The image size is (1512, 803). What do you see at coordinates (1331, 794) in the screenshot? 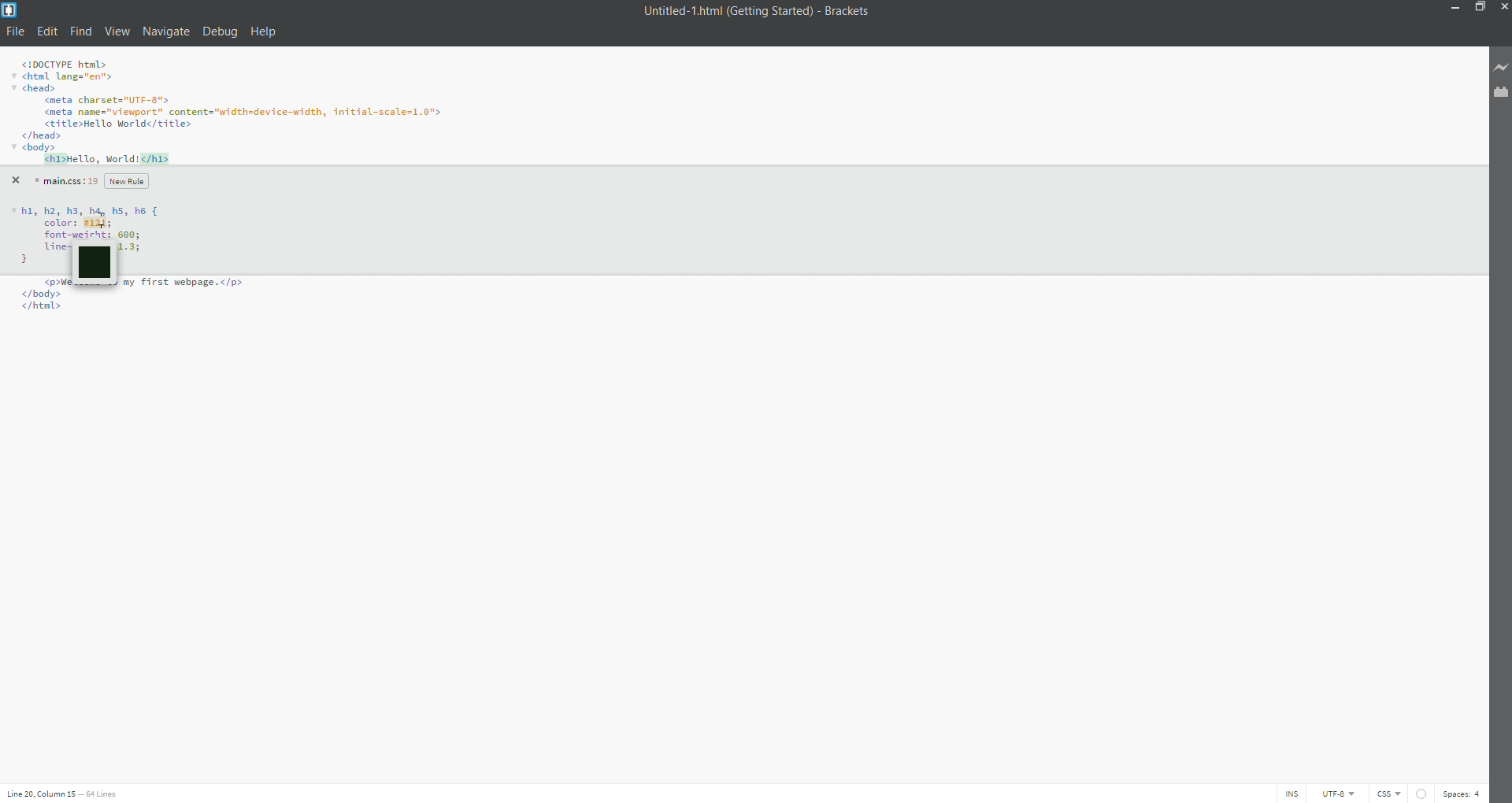
I see `utf-8` at bounding box center [1331, 794].